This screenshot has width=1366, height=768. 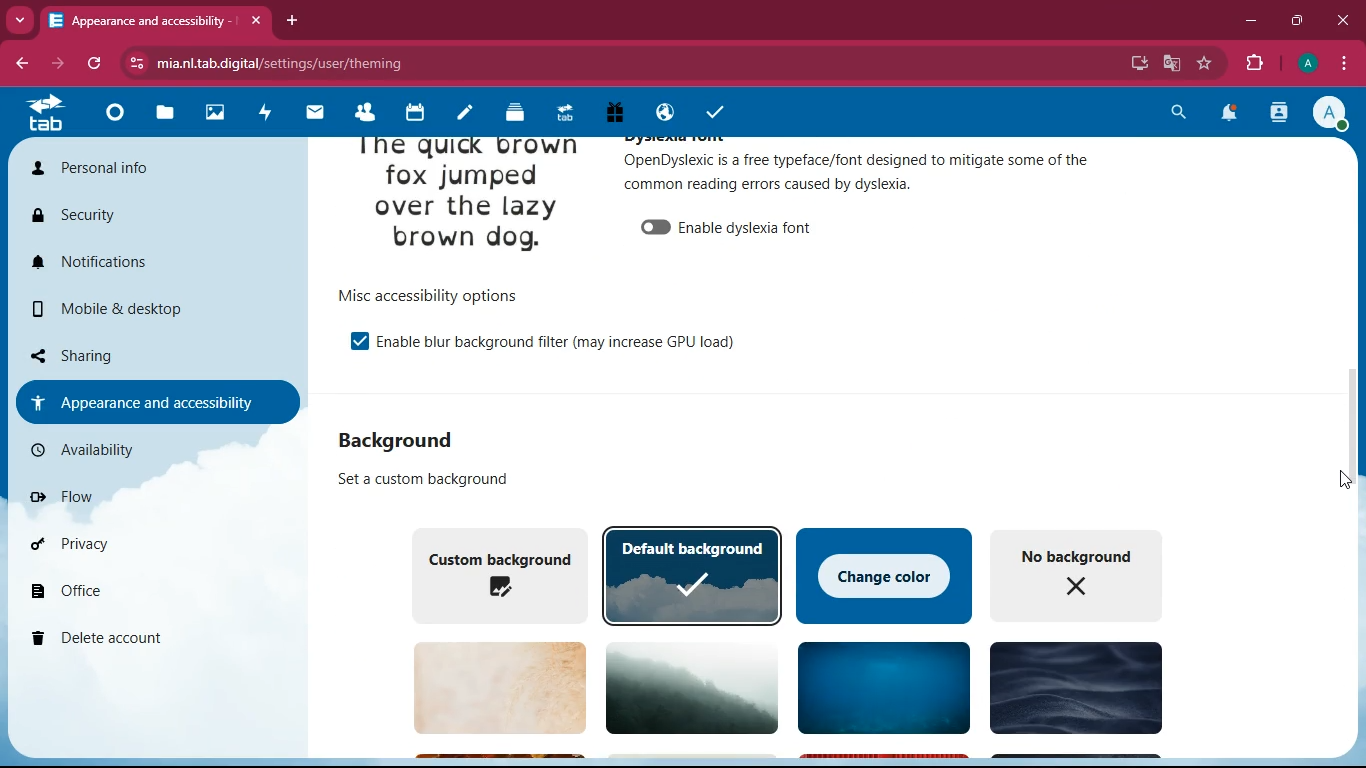 I want to click on search, so click(x=1181, y=112).